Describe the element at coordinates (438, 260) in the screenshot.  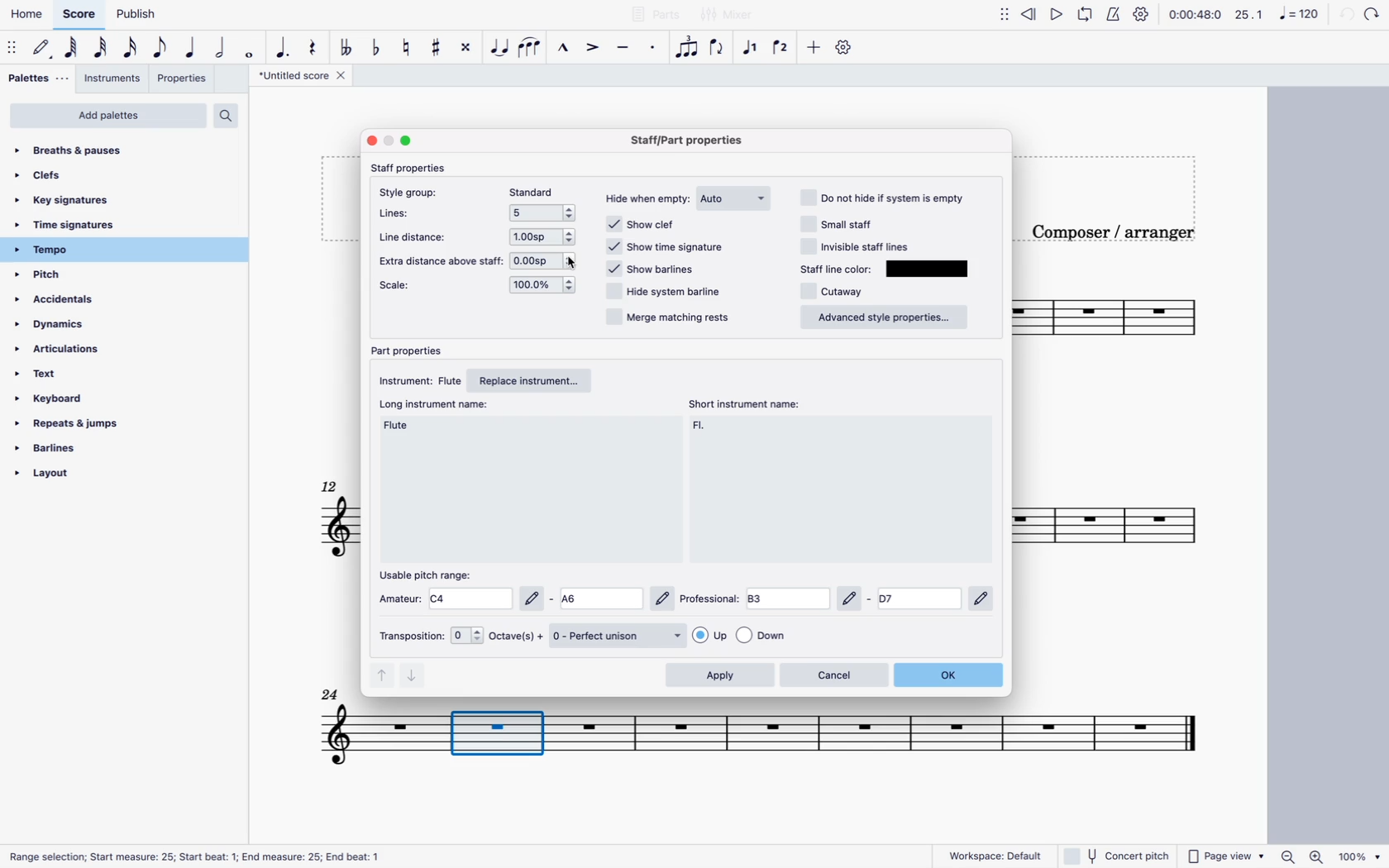
I see `extra distance above stafff` at that location.